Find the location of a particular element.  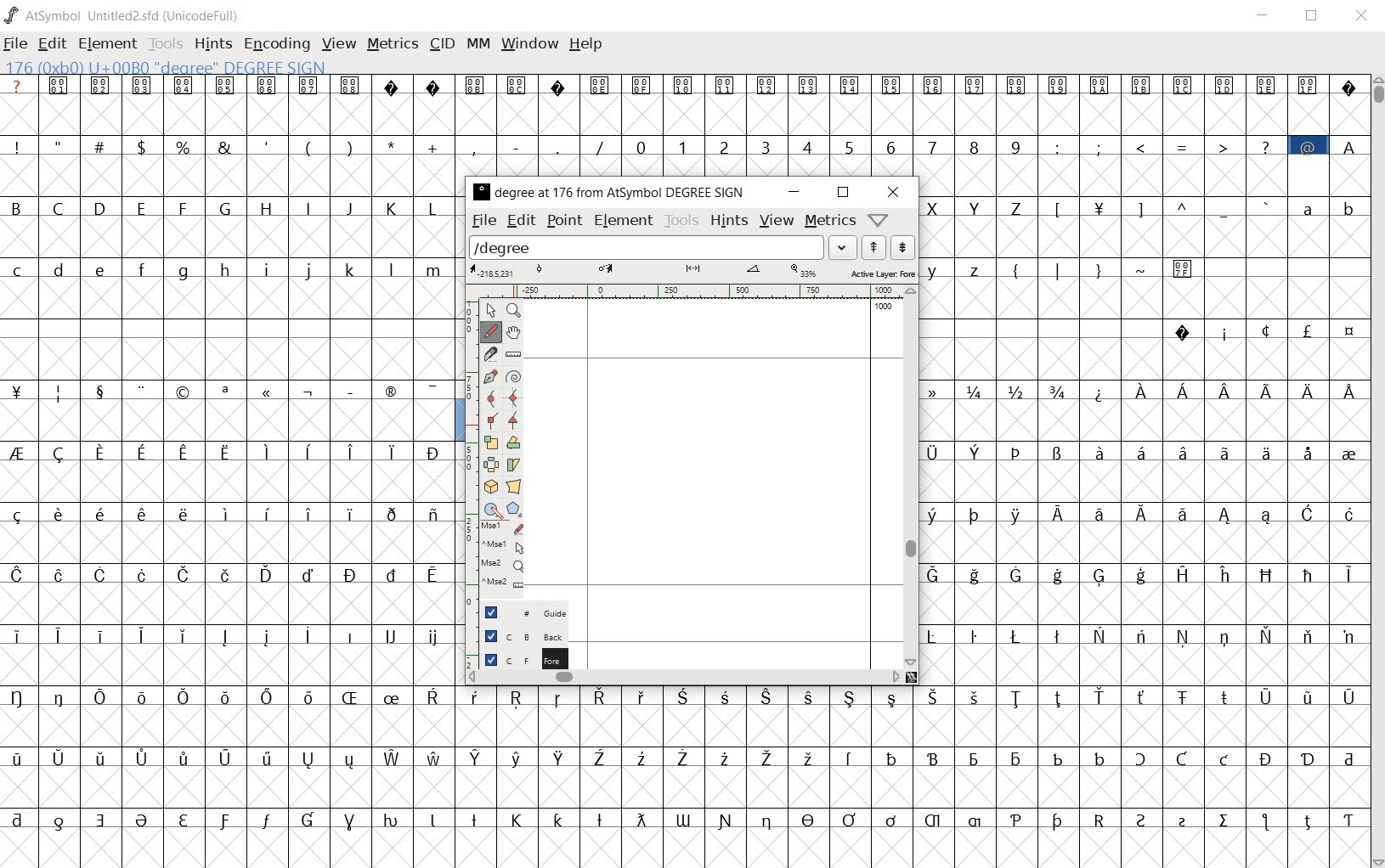

encoding is located at coordinates (277, 43).